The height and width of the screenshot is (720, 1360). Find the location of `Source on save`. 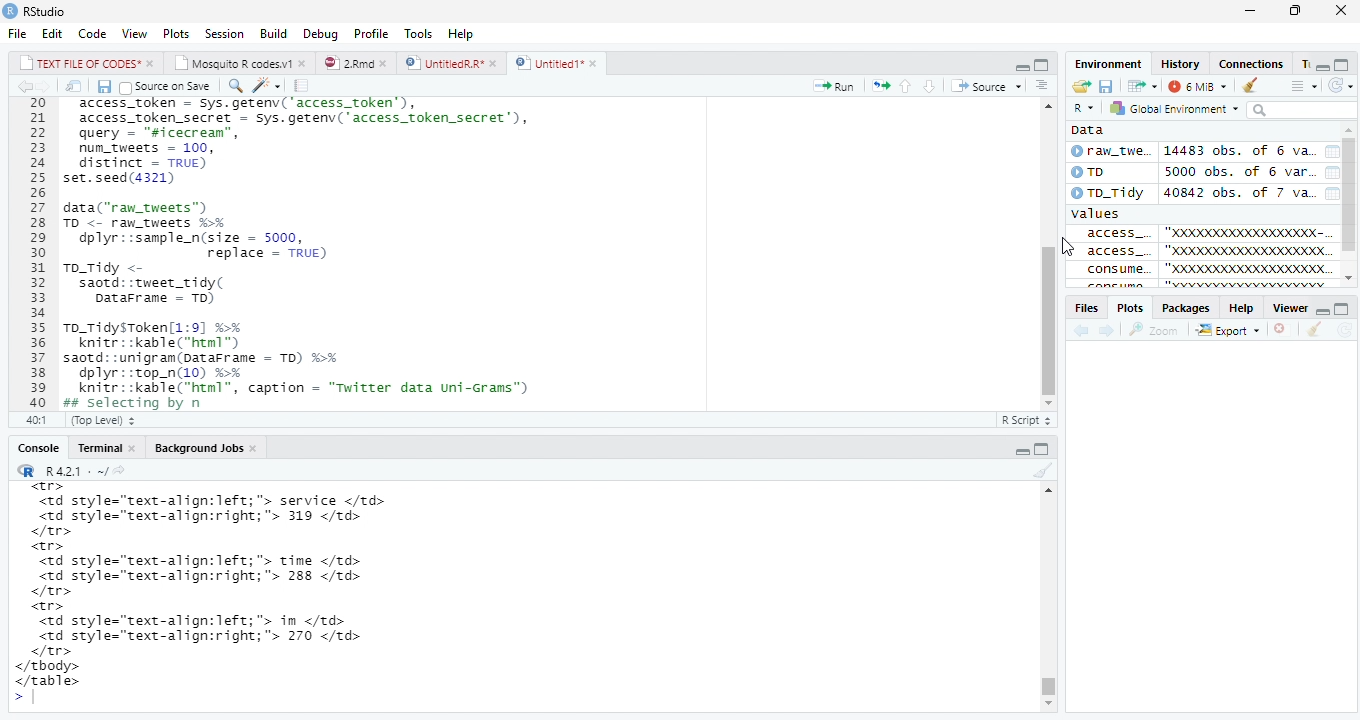

Source on save is located at coordinates (171, 86).